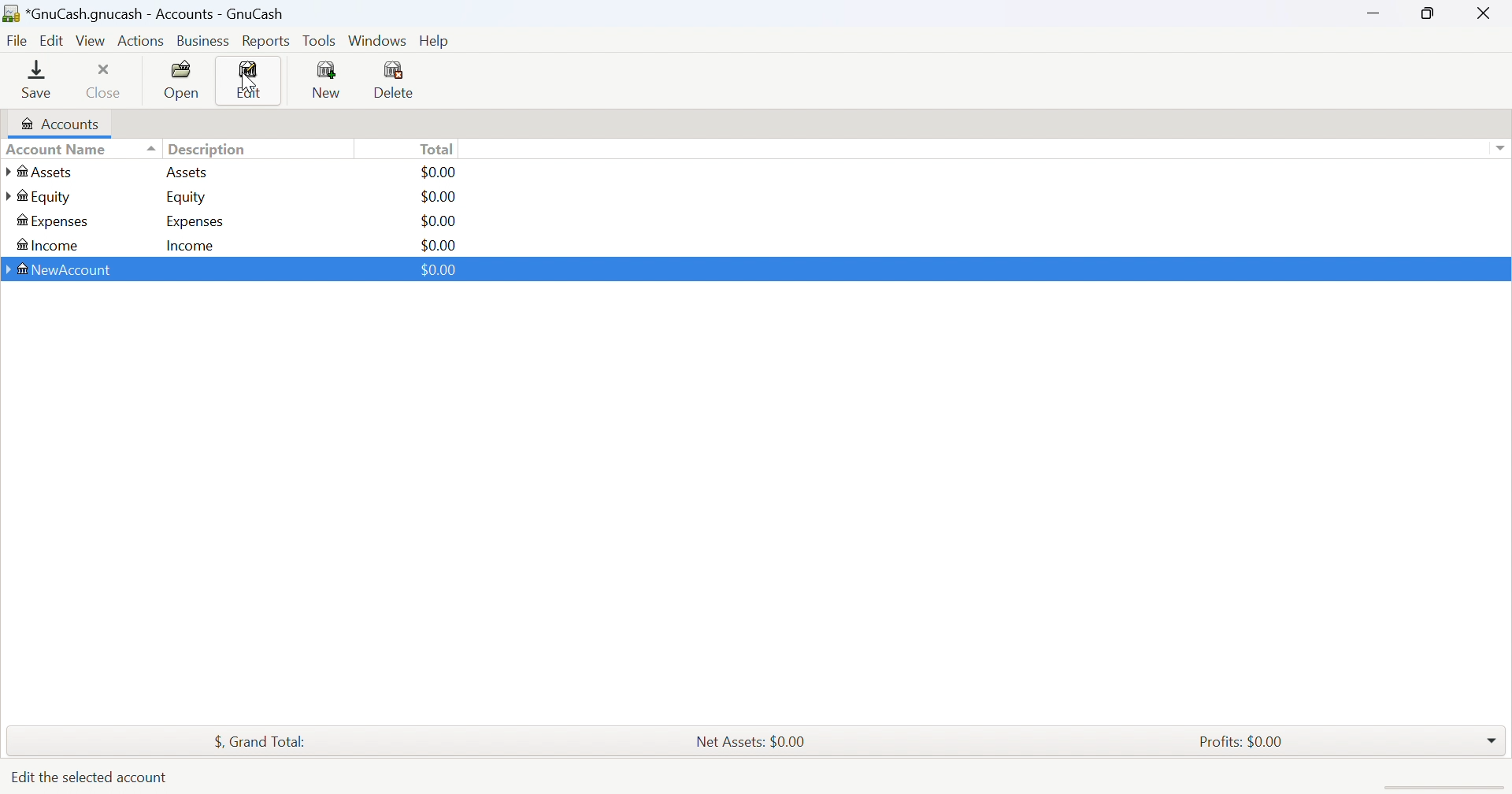 The width and height of the screenshot is (1512, 794). I want to click on Business, so click(206, 42).